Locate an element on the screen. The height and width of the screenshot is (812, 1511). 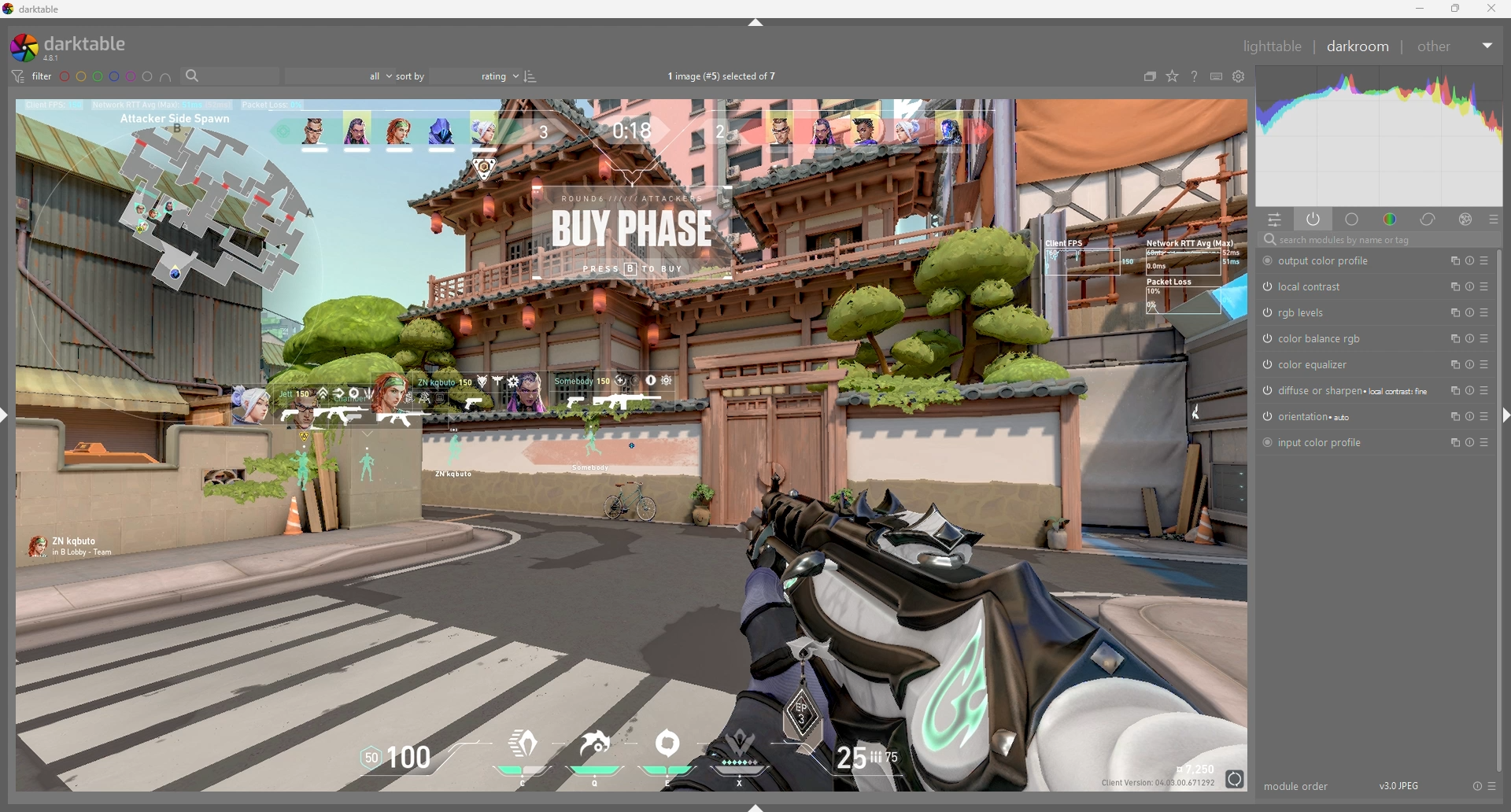
presets is located at coordinates (1485, 260).